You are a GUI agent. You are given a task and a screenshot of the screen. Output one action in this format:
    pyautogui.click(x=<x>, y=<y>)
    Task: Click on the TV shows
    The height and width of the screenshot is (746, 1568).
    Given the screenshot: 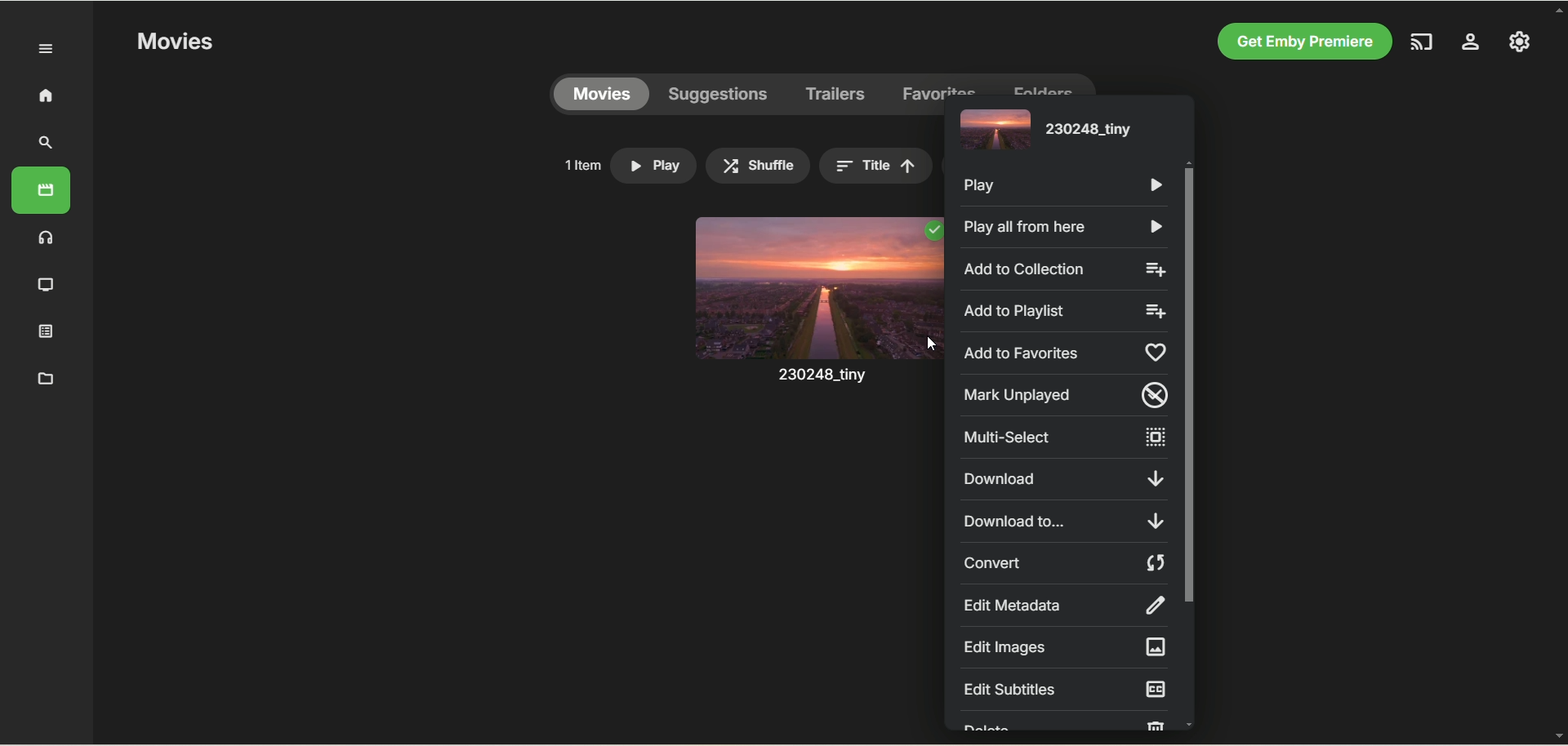 What is the action you would take?
    pyautogui.click(x=47, y=286)
    